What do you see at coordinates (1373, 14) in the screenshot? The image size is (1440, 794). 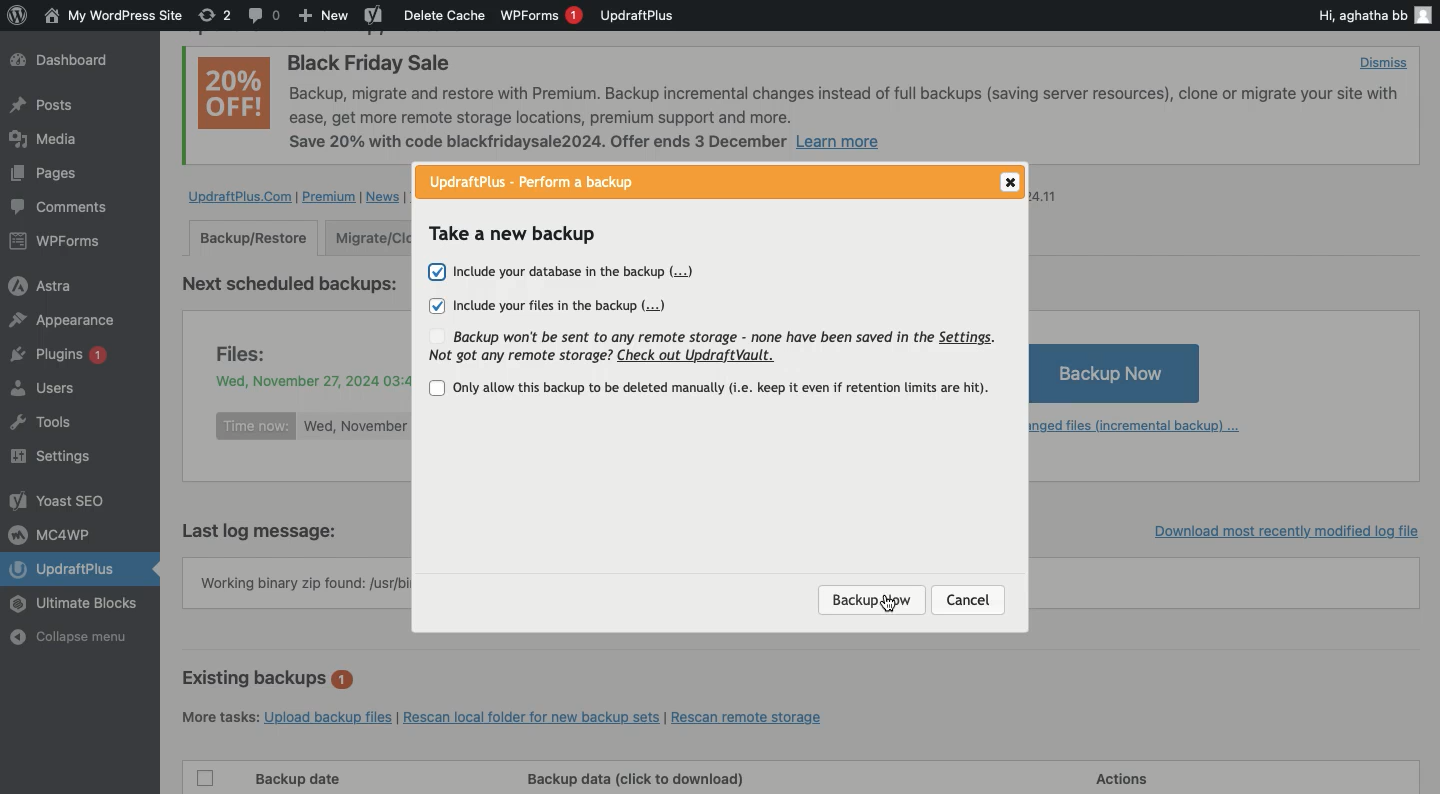 I see `Hi, aghatha bb` at bounding box center [1373, 14].